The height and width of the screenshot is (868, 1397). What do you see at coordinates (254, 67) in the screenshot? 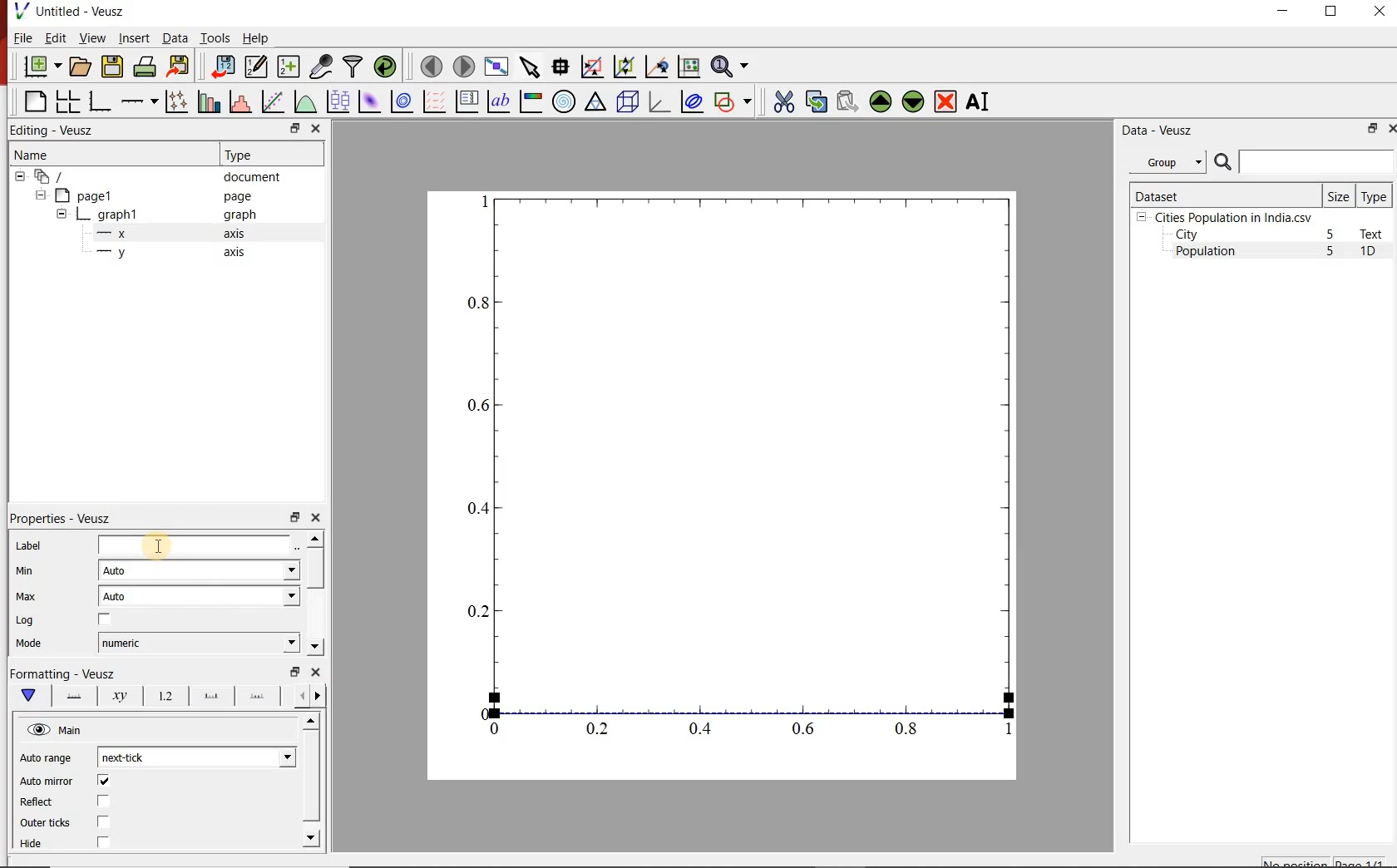
I see `edit and enter new datasets` at bounding box center [254, 67].